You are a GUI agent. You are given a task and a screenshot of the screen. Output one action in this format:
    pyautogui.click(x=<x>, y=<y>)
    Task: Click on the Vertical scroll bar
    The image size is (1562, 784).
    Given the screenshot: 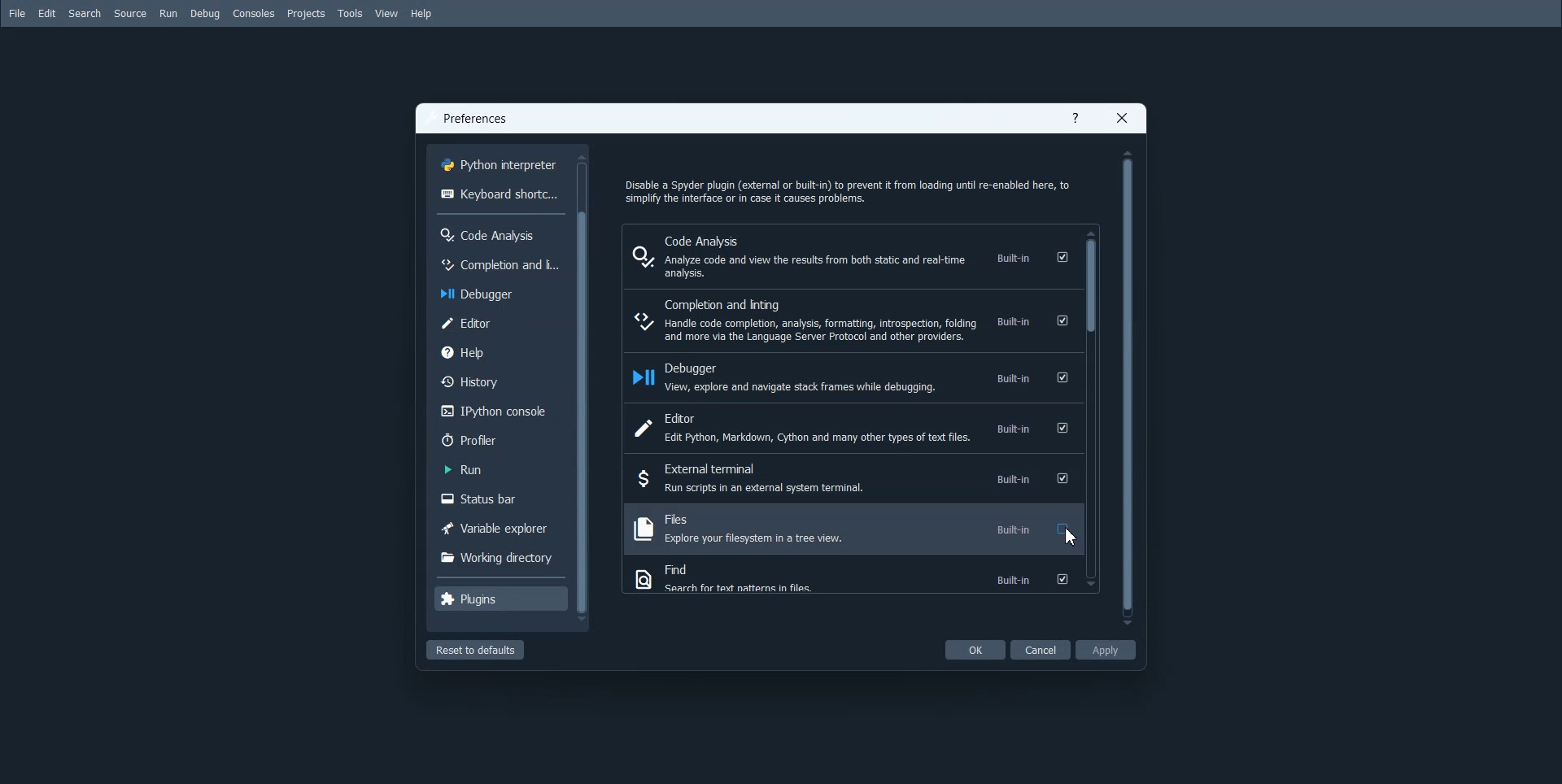 What is the action you would take?
    pyautogui.click(x=1092, y=409)
    